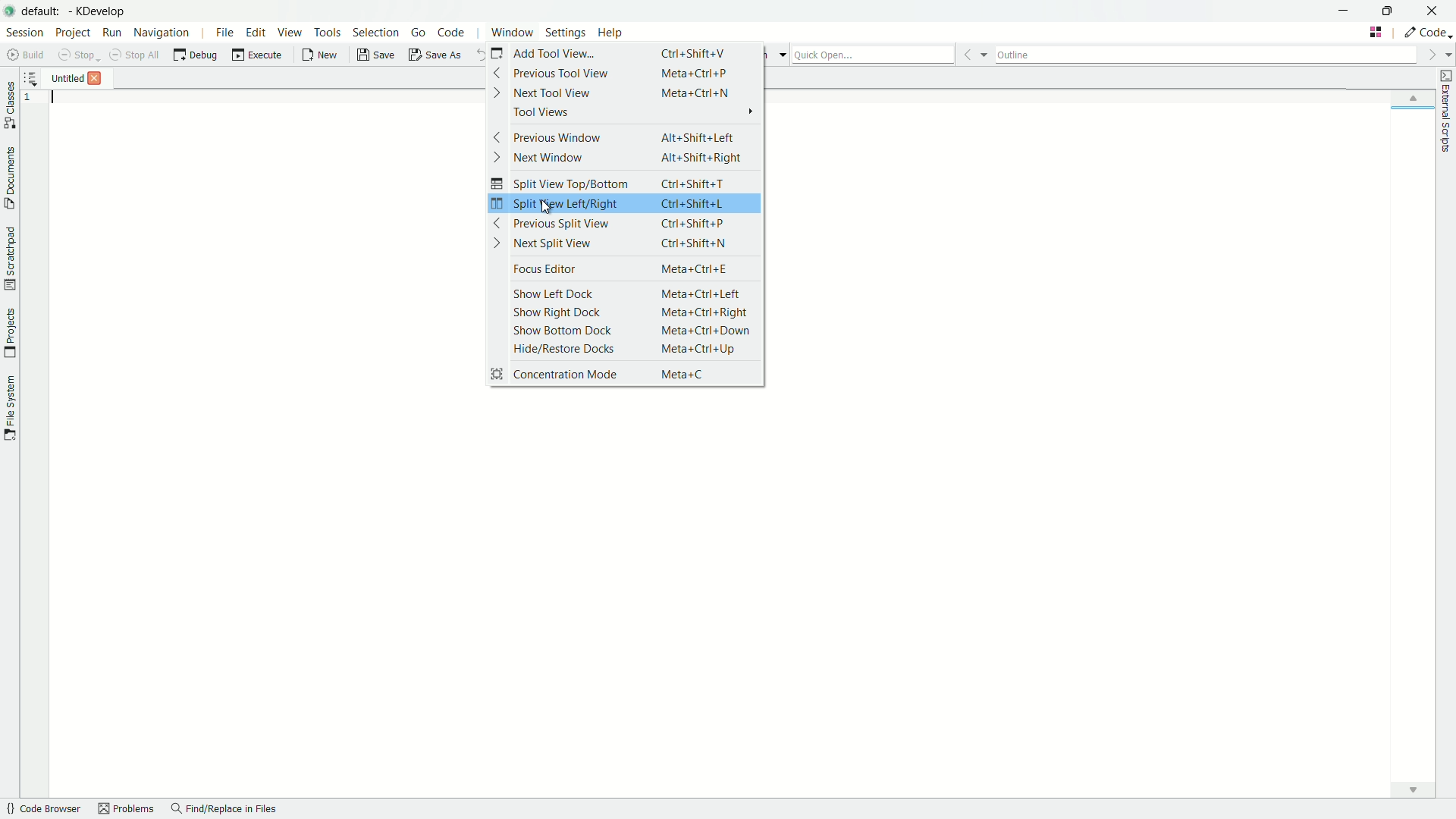 The image size is (1456, 819). I want to click on selection menu, so click(375, 33).